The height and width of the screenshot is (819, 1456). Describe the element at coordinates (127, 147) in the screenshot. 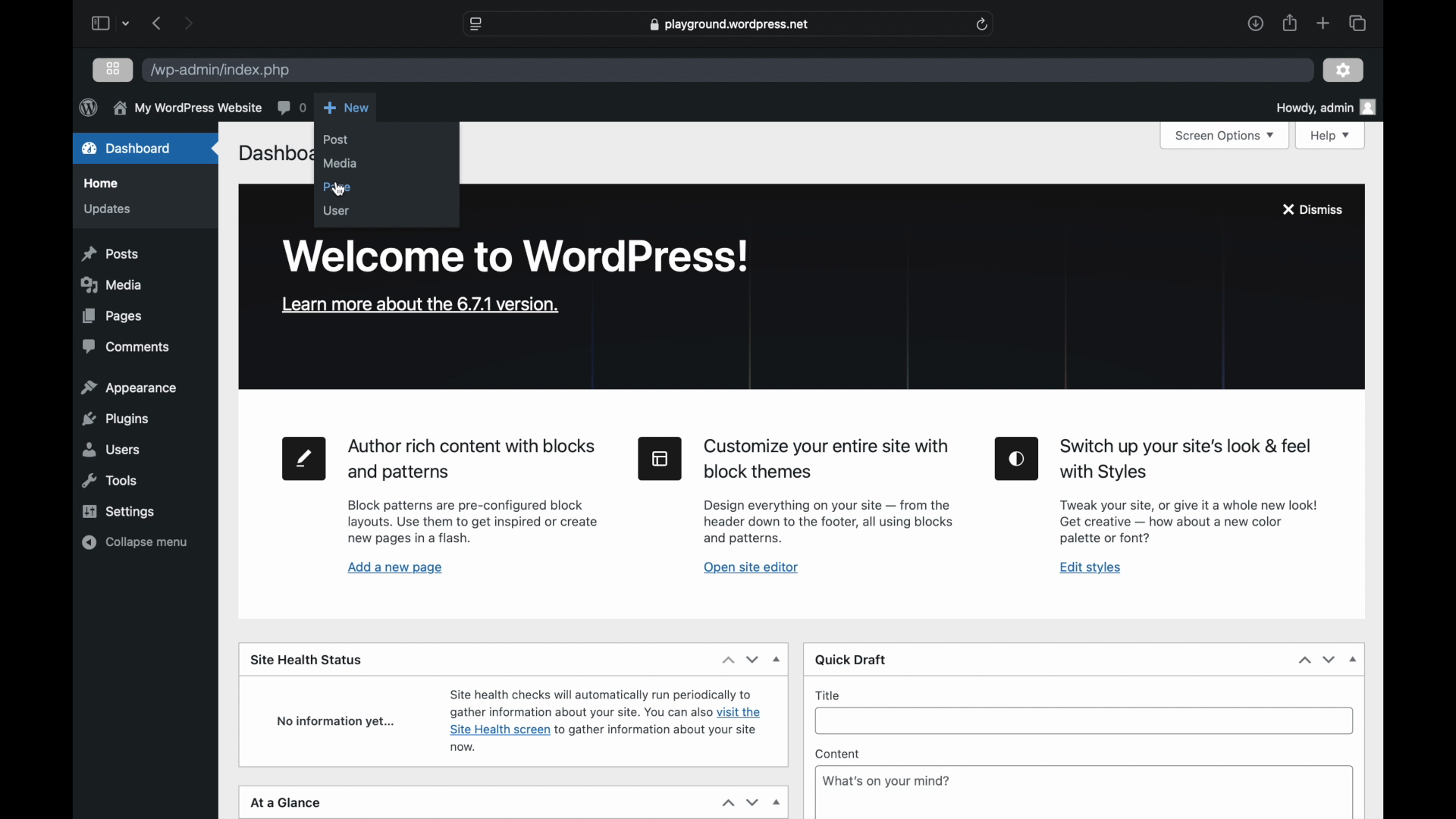

I see `dashboard` at that location.